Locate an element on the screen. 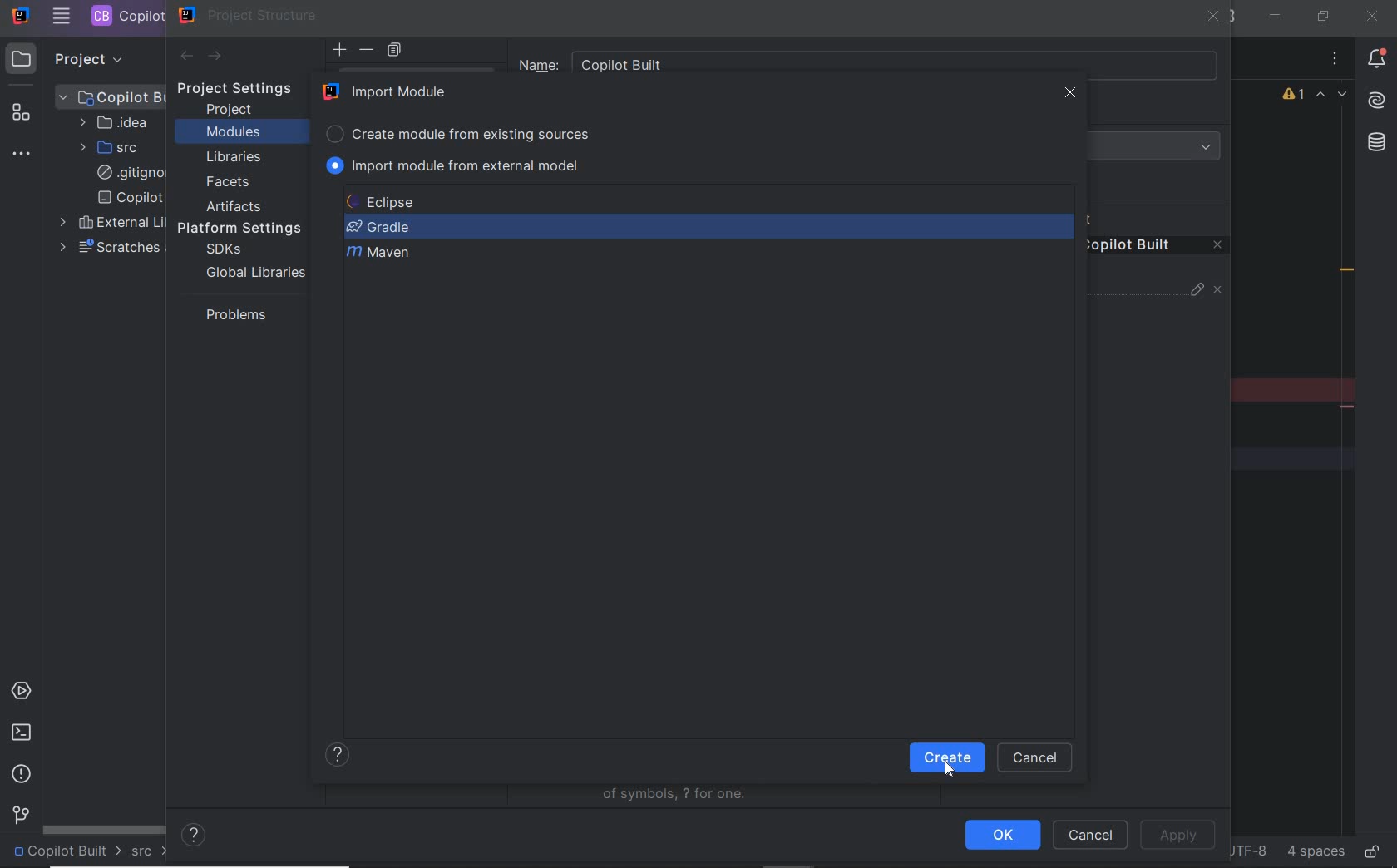  cursor is located at coordinates (950, 769).